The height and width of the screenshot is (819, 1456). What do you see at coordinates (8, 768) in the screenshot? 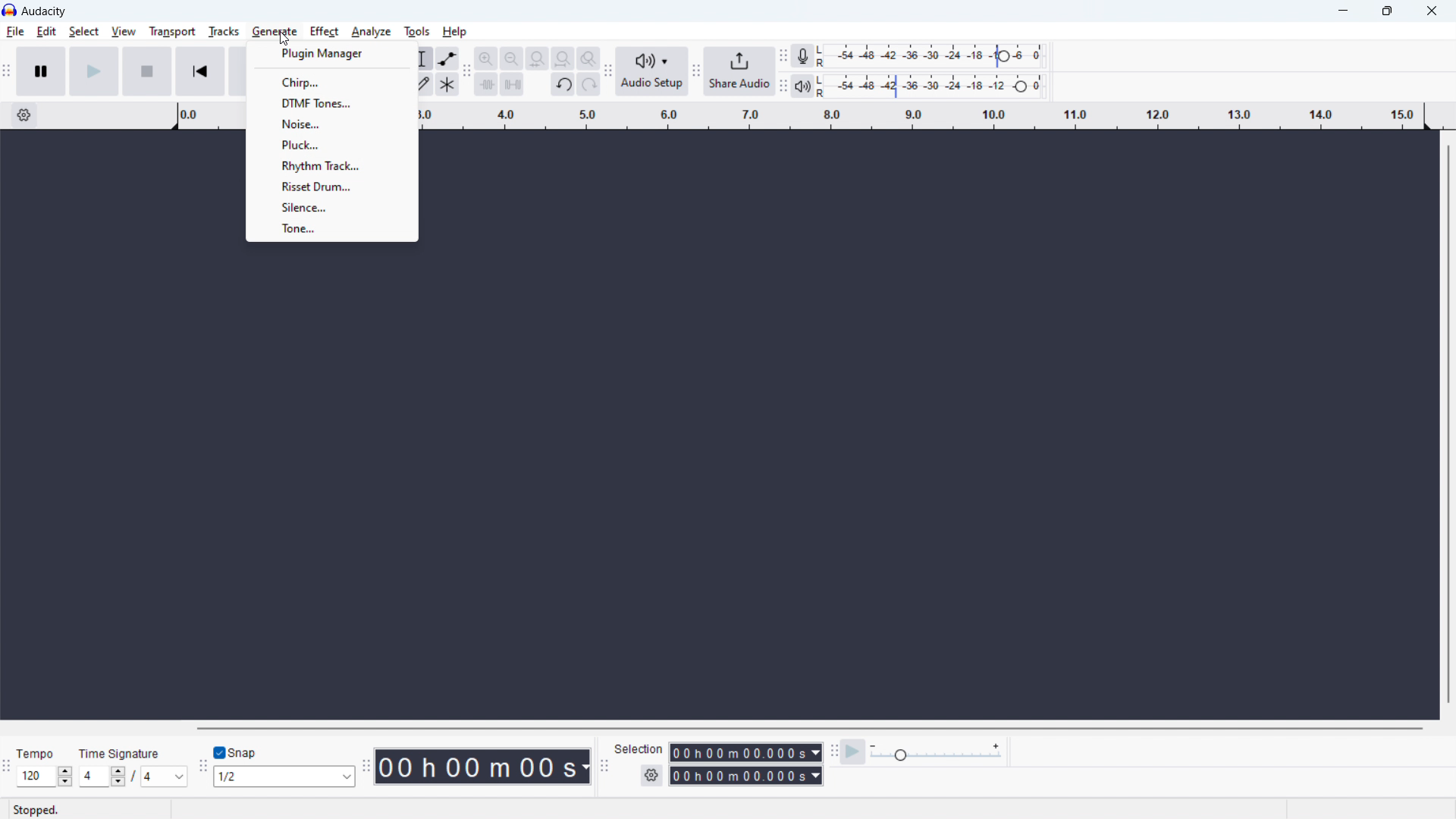
I see `time signature toolbar` at bounding box center [8, 768].